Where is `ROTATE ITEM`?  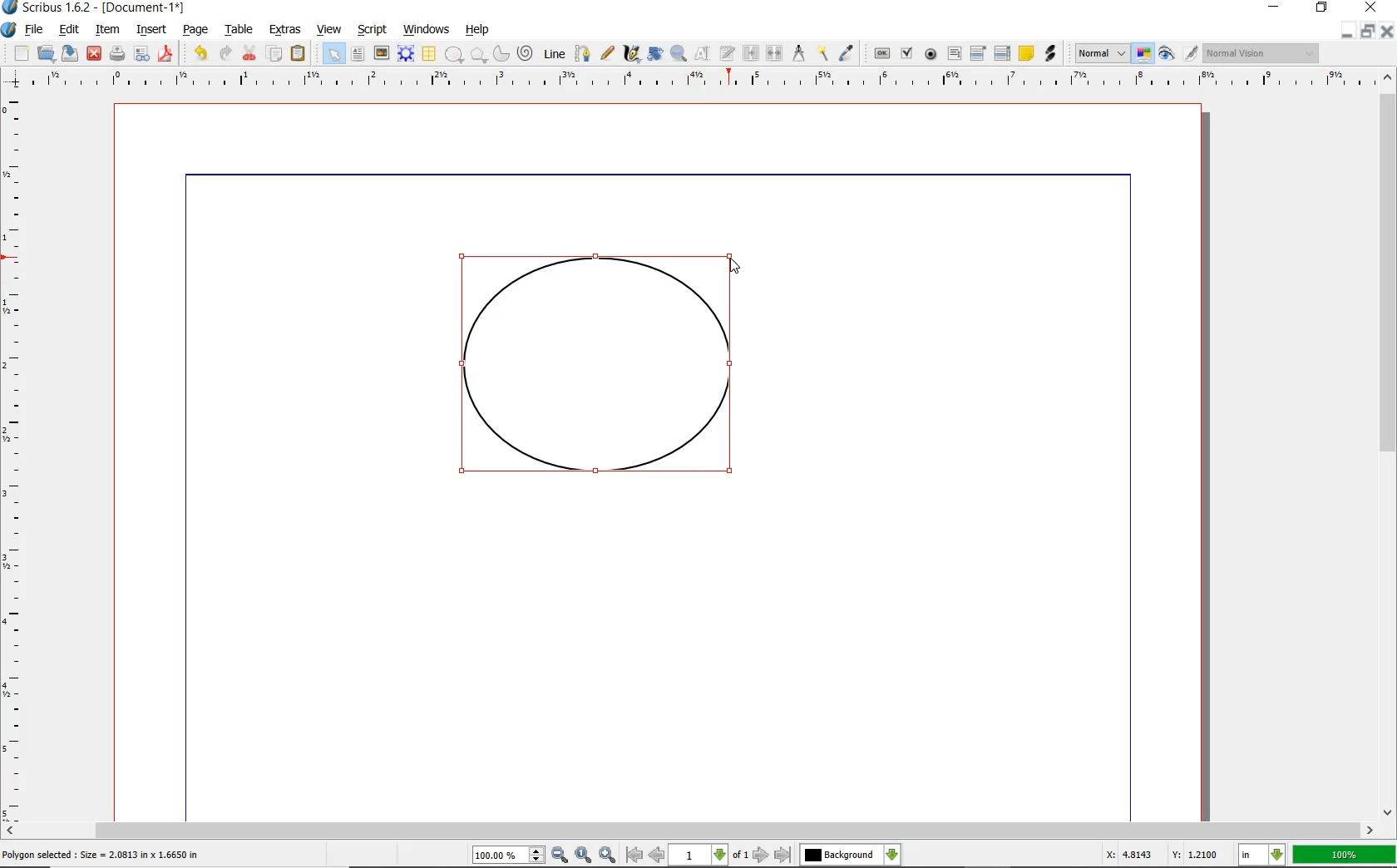
ROTATE ITEM is located at coordinates (654, 52).